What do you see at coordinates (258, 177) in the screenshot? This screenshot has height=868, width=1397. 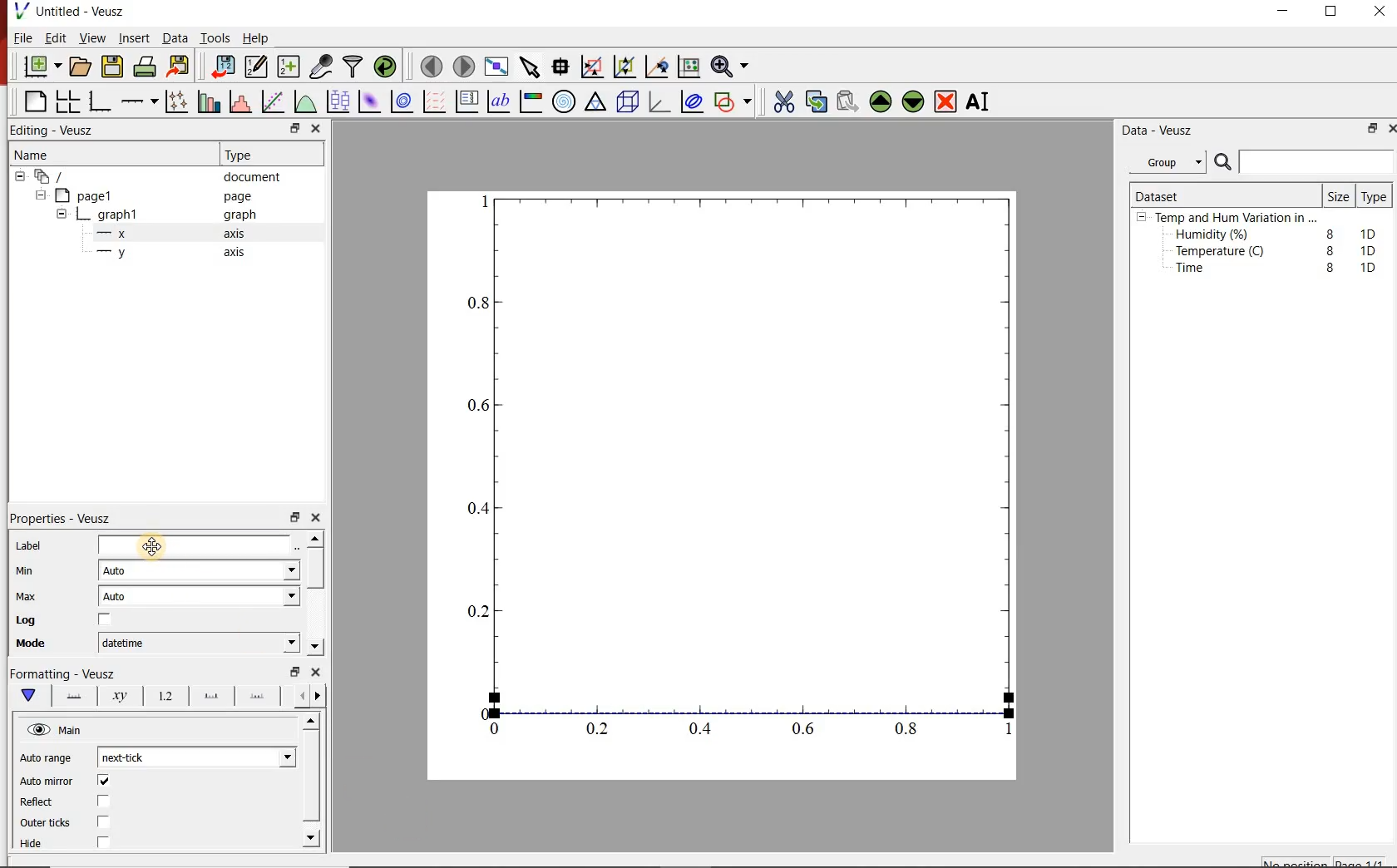 I see `document` at bounding box center [258, 177].